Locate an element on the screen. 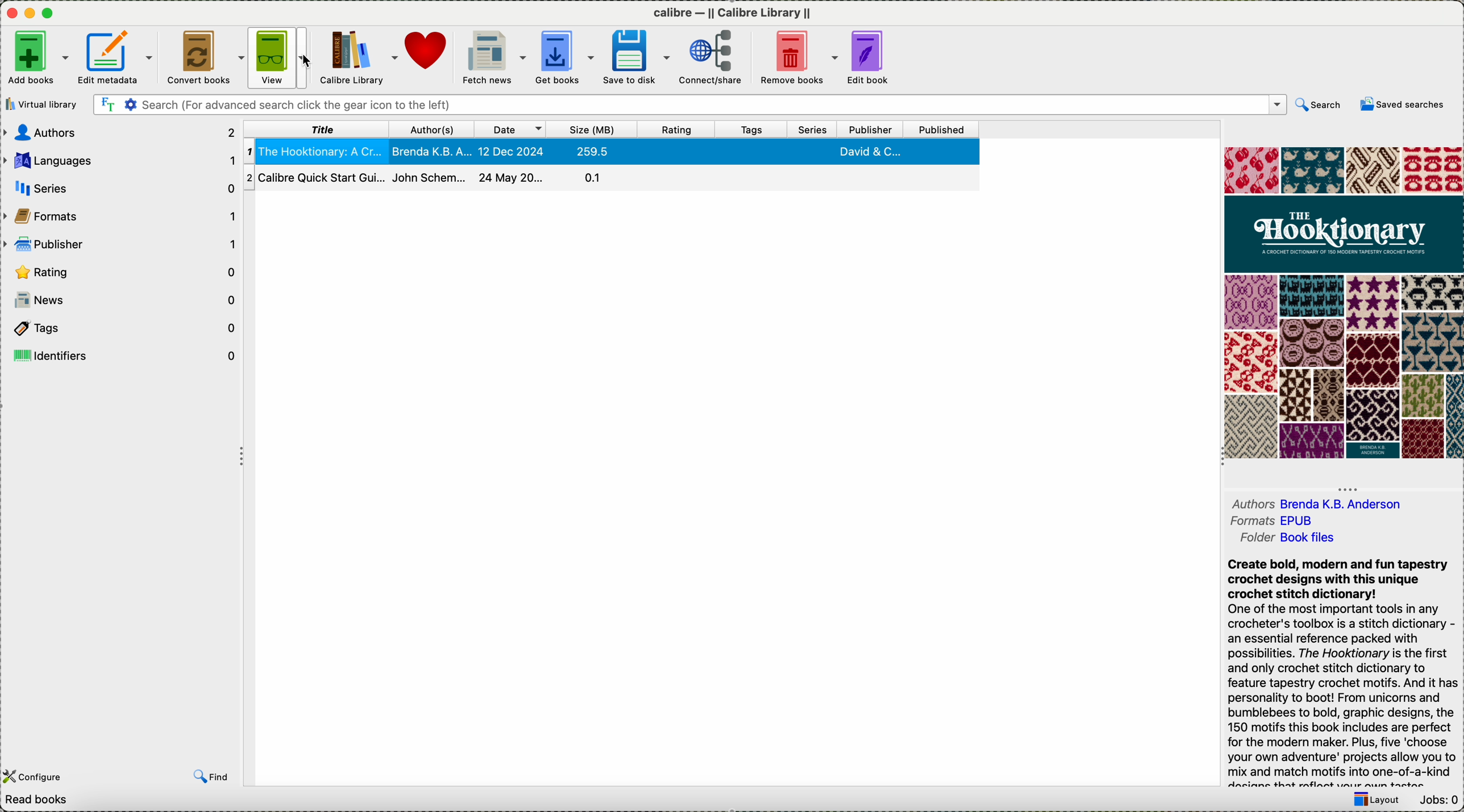  size is located at coordinates (589, 130).